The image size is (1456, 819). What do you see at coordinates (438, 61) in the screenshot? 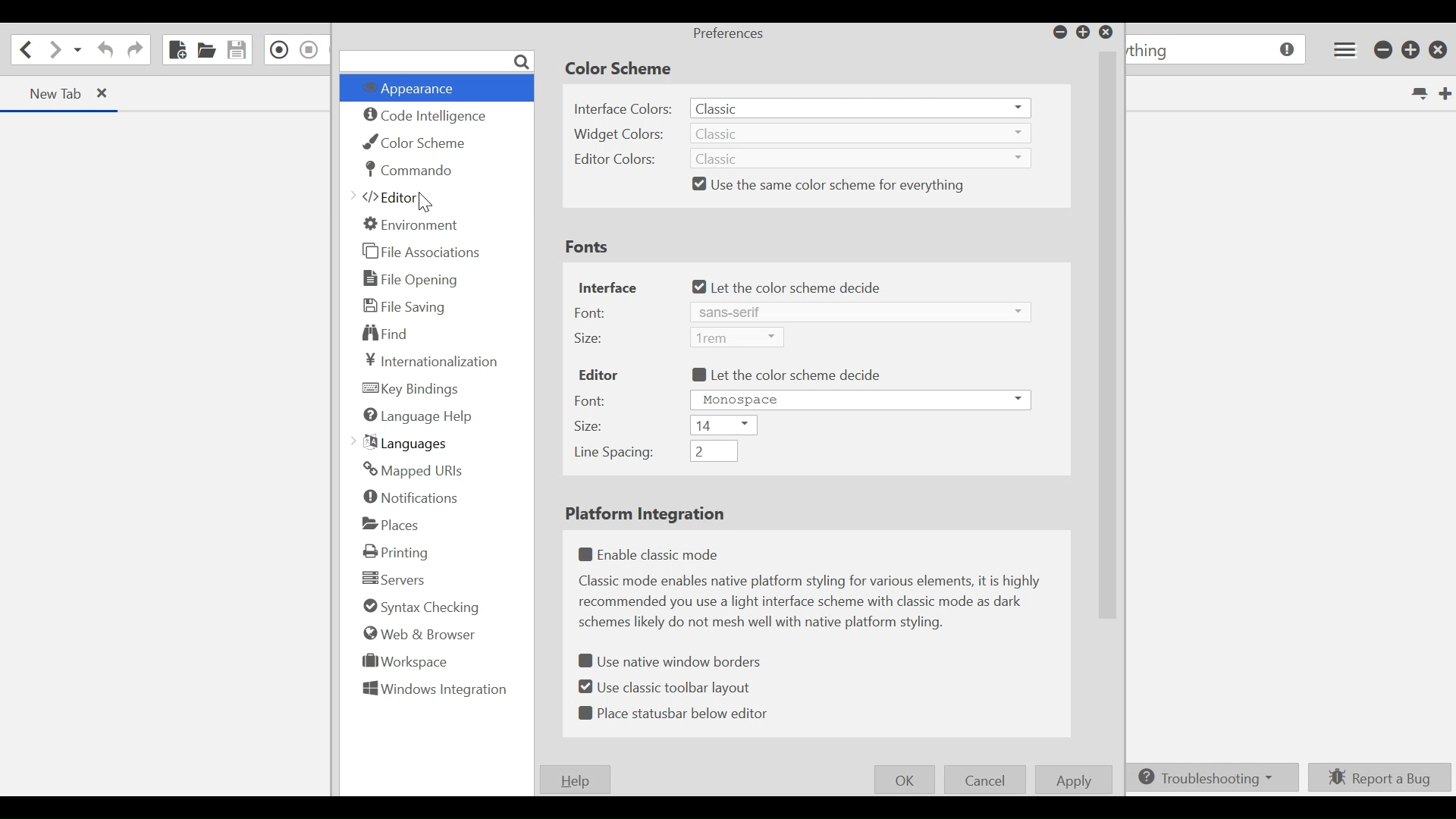
I see `Search` at bounding box center [438, 61].